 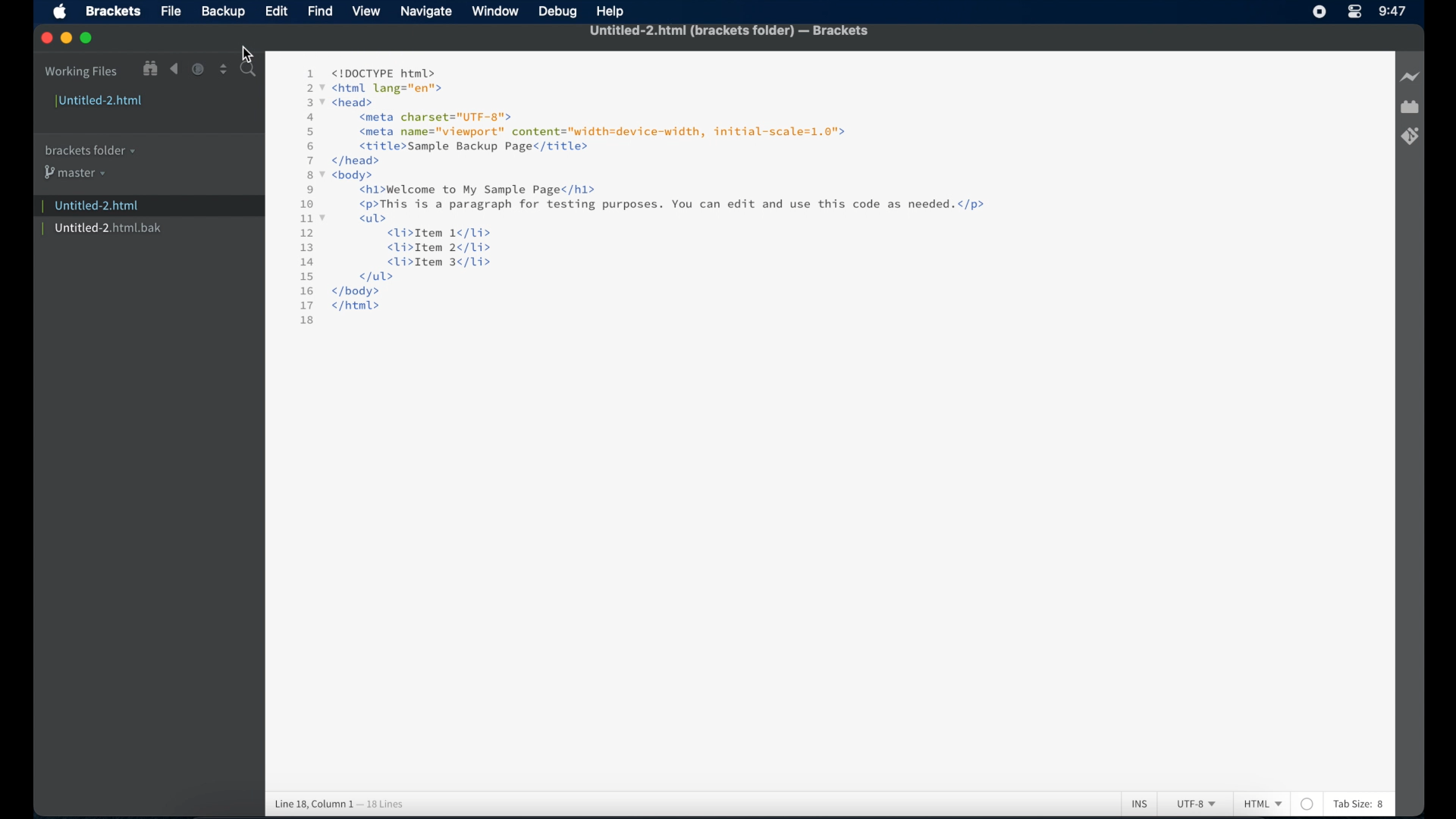 What do you see at coordinates (729, 31) in the screenshot?
I see `untitled-2.html (brackets folder) - brackets` at bounding box center [729, 31].